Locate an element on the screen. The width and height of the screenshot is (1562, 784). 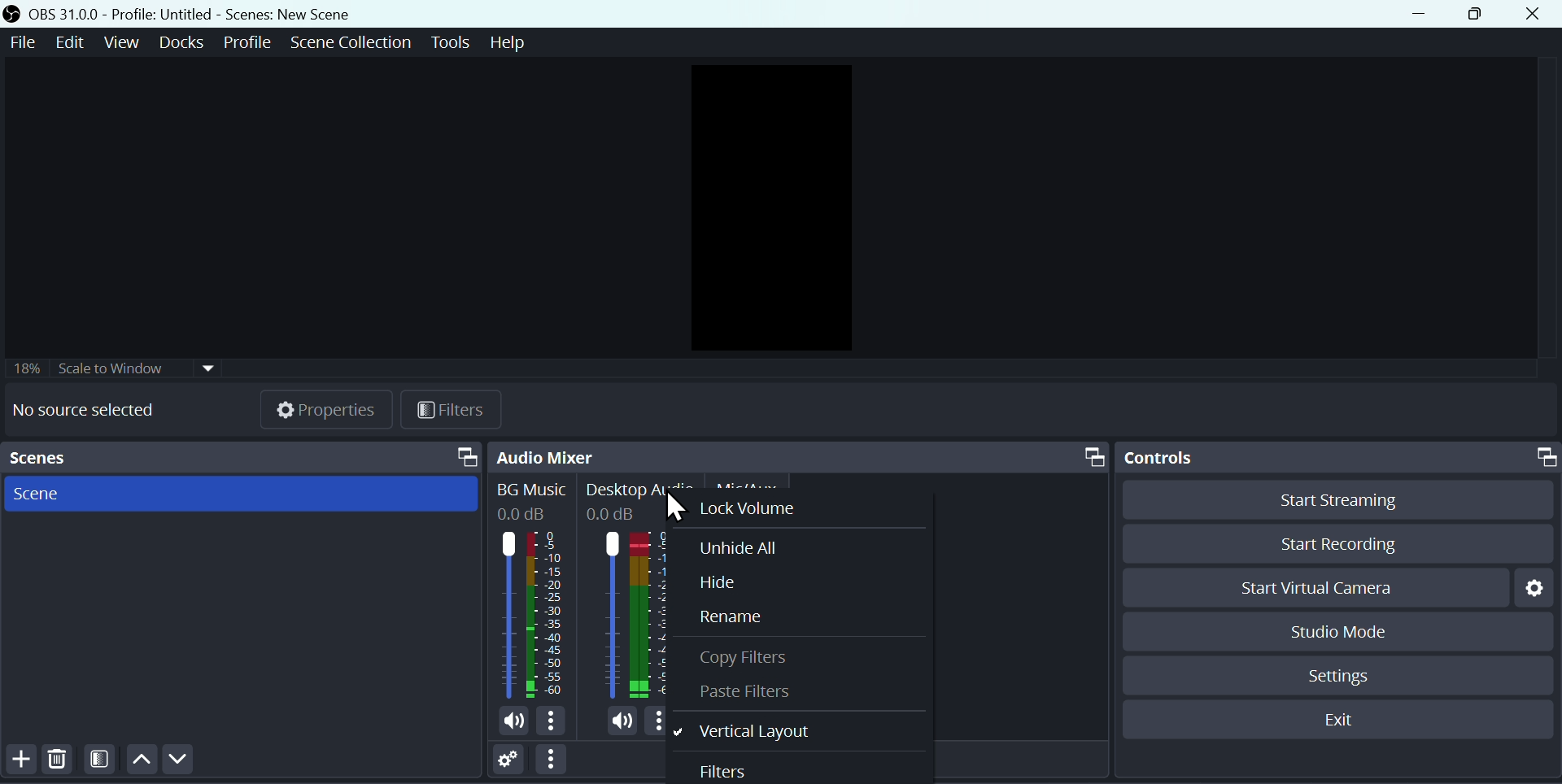
Tools is located at coordinates (450, 45).